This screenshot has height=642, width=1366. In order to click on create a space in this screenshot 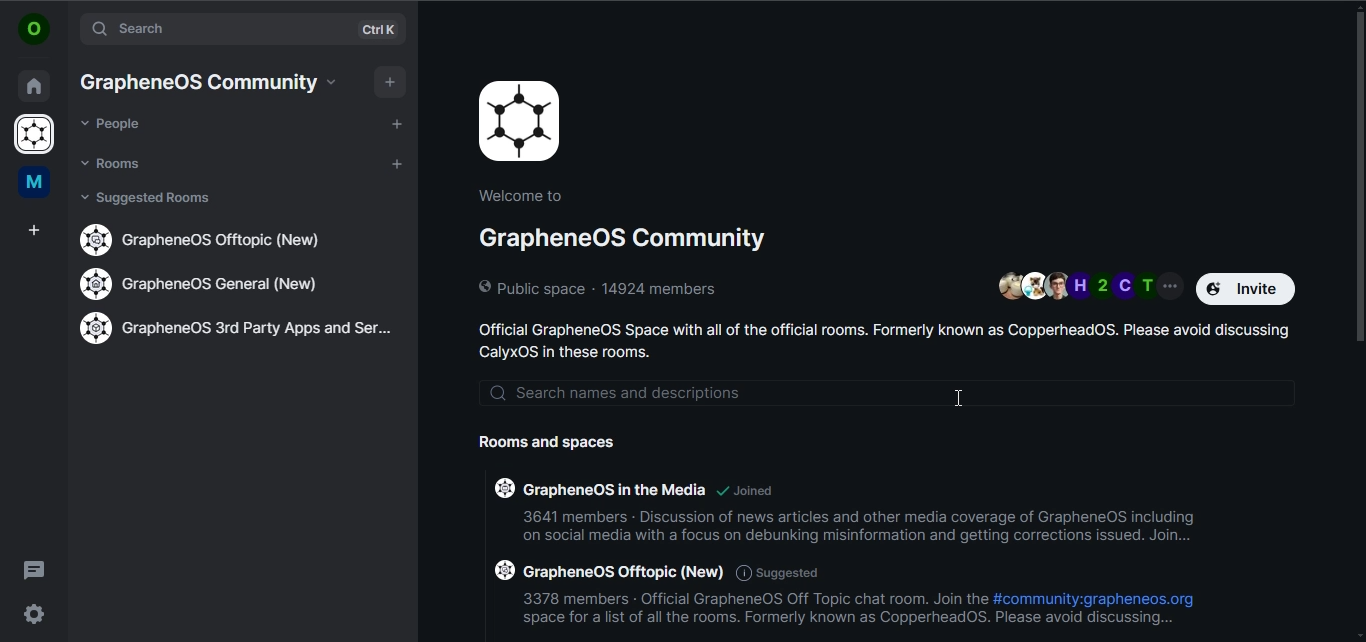, I will do `click(36, 231)`.